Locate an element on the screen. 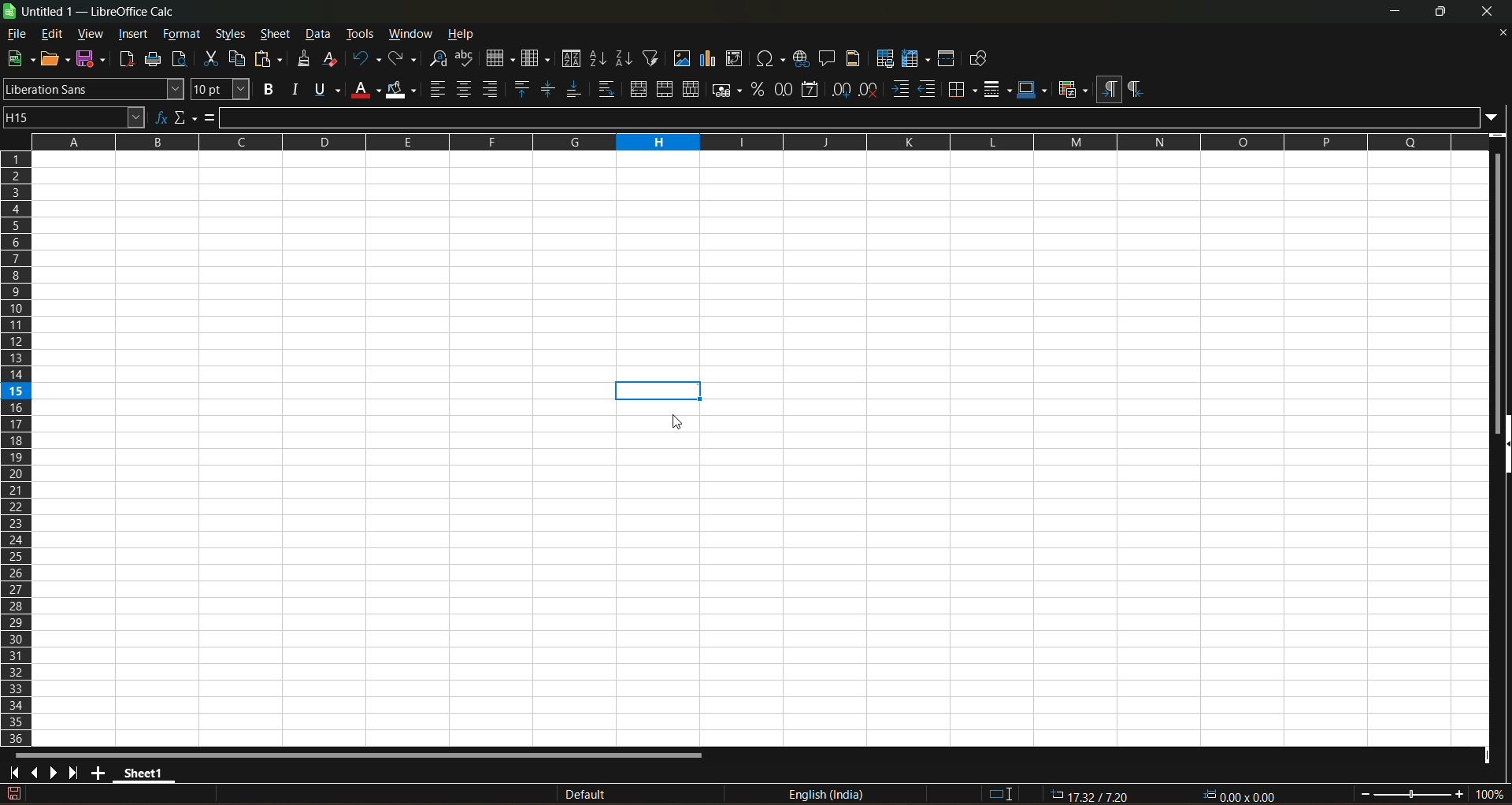 The image size is (1512, 805). left to right is located at coordinates (1109, 89).